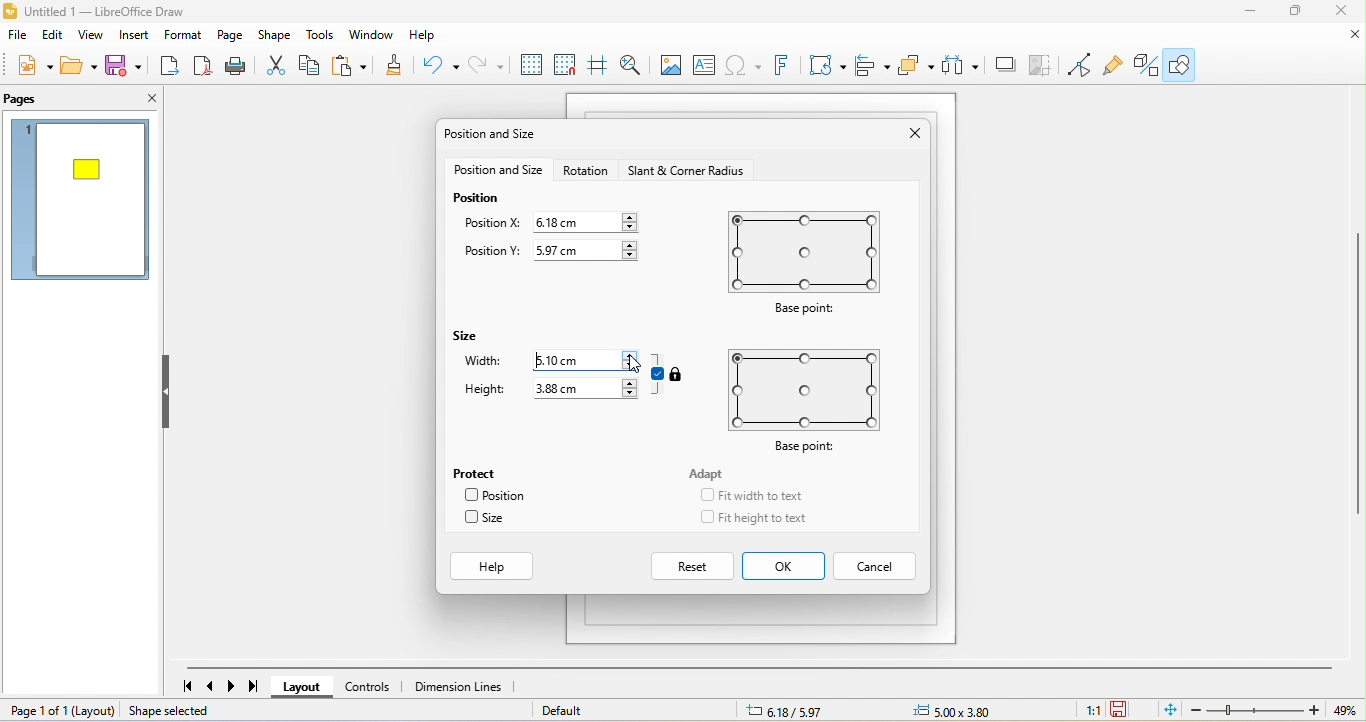  I want to click on size, so click(486, 521).